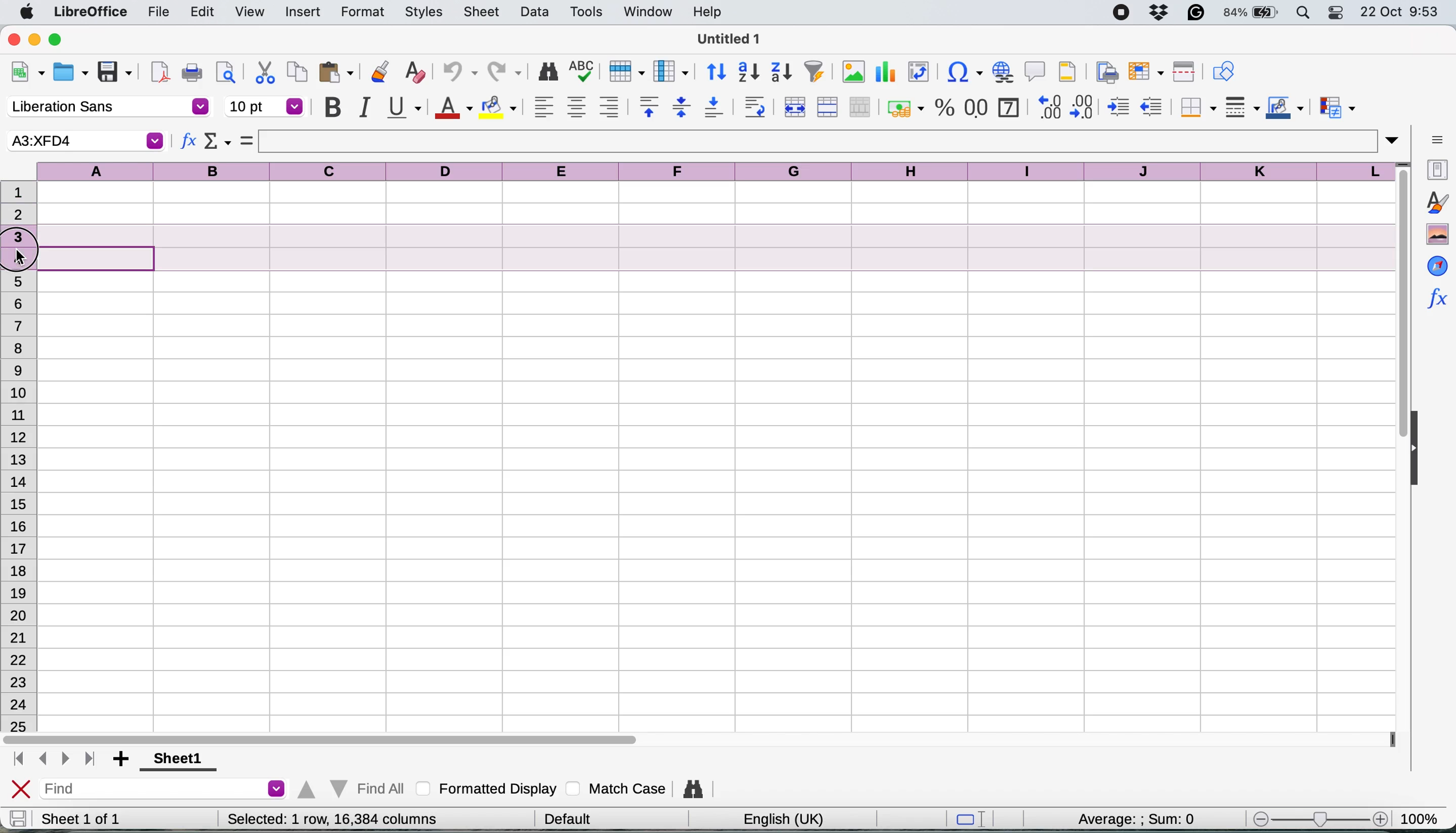 This screenshot has width=1456, height=833. I want to click on collapse, so click(1420, 450).